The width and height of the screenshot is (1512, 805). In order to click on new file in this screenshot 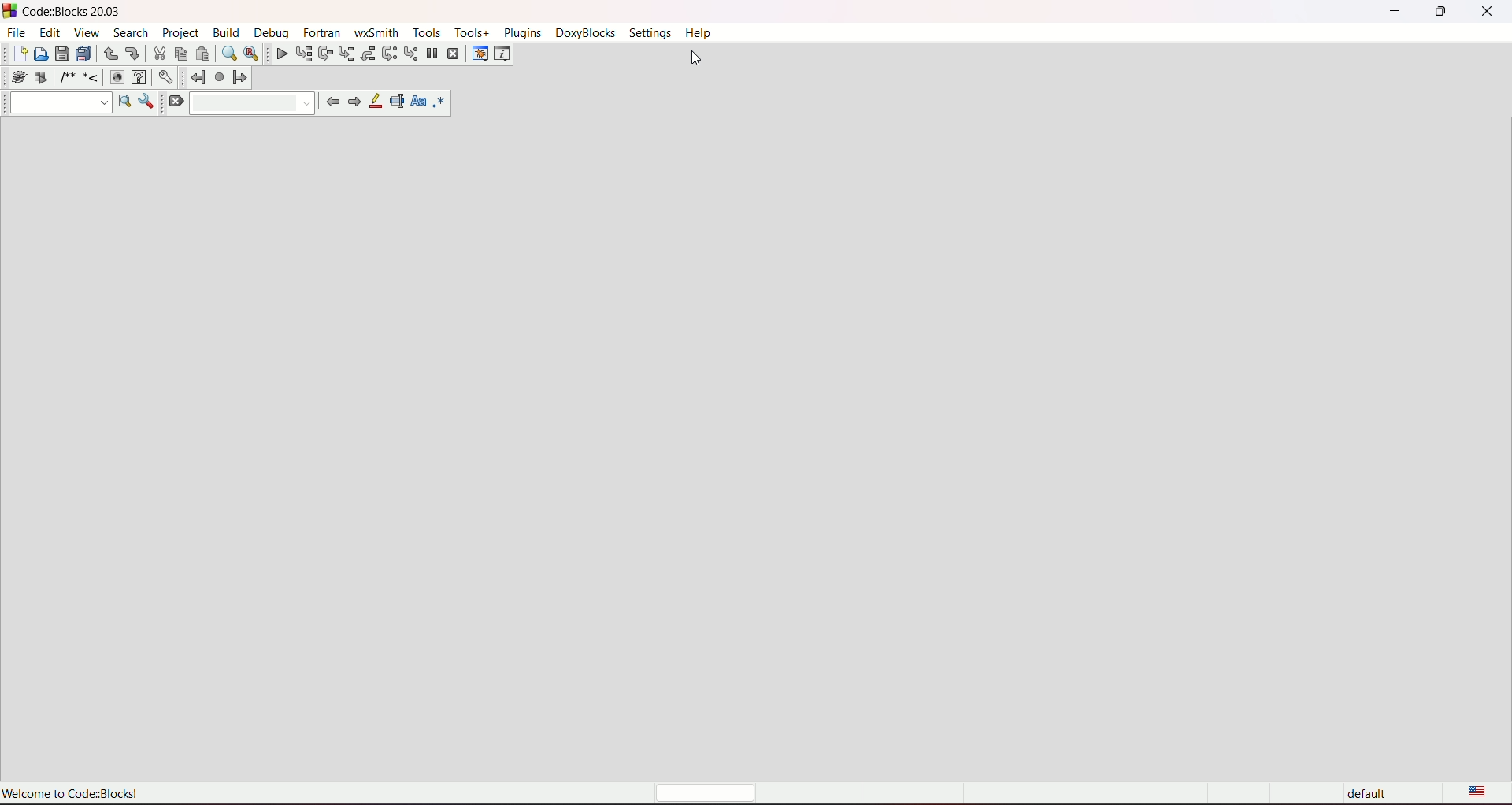, I will do `click(18, 54)`.